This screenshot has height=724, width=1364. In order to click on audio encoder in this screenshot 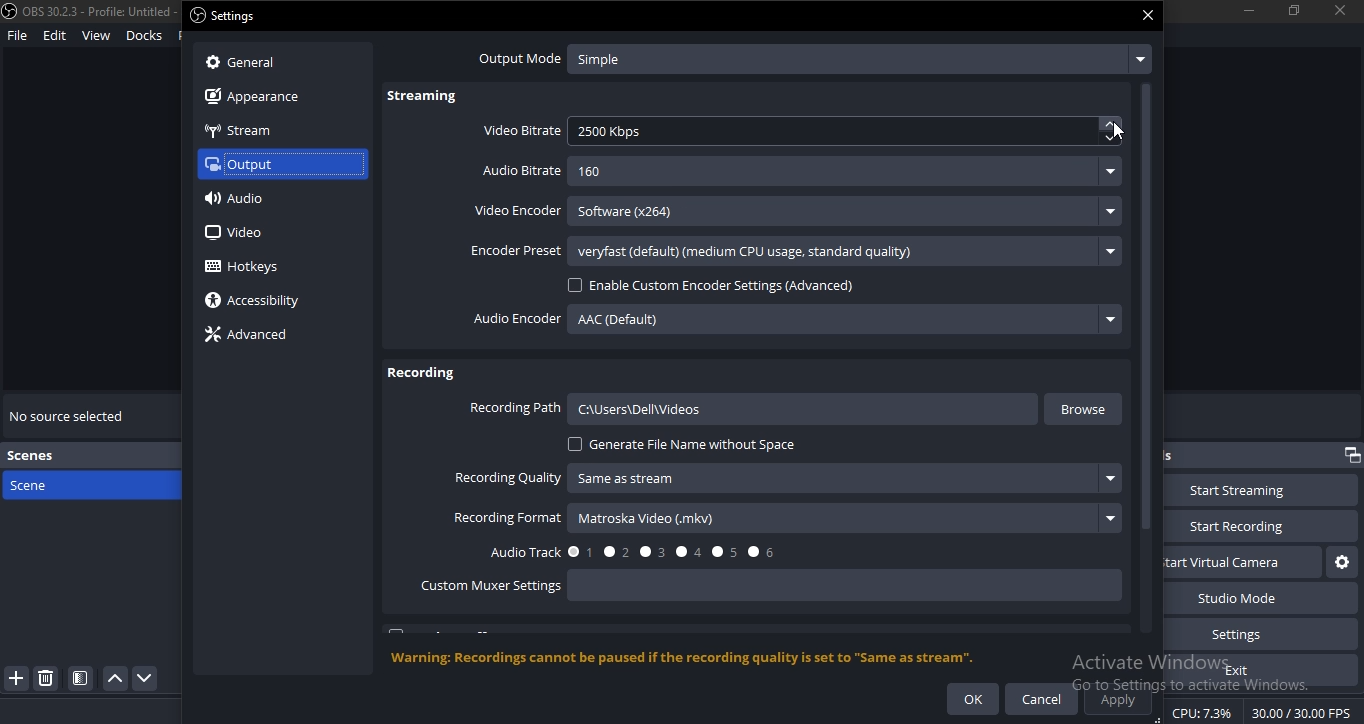, I will do `click(515, 319)`.